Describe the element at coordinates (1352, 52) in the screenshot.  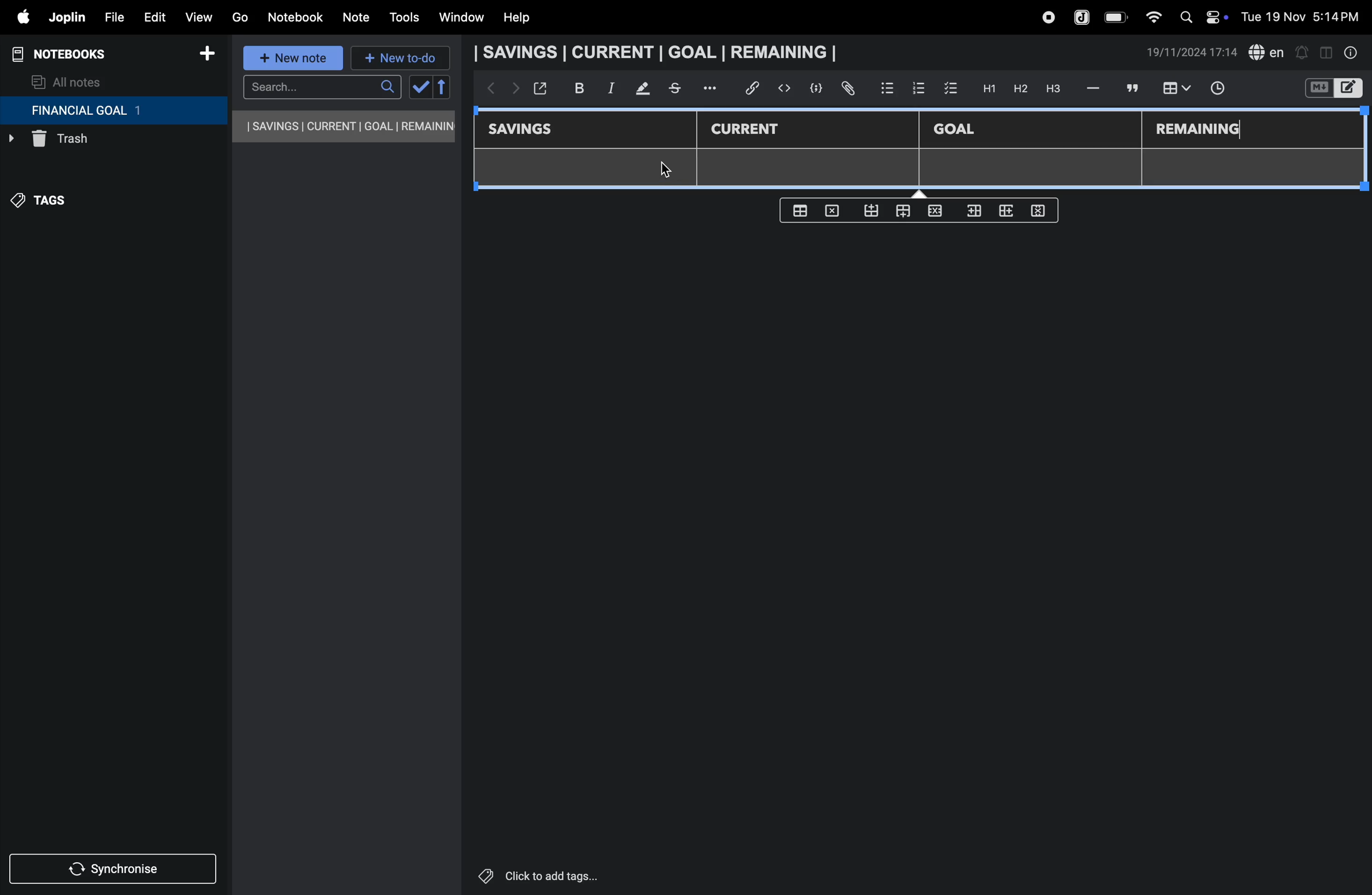
I see `info` at that location.